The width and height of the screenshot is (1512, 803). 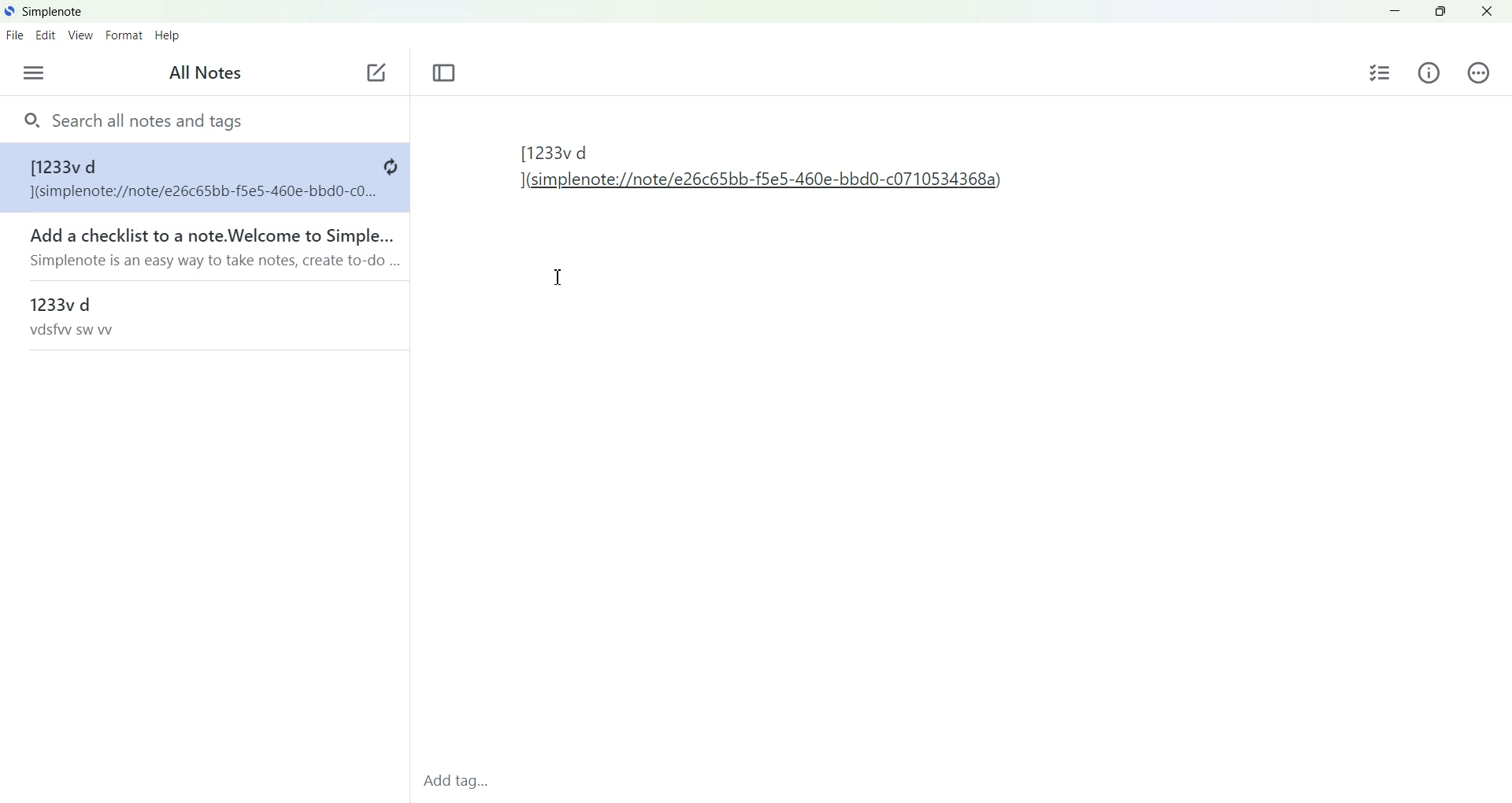 I want to click on Insert Checklist, so click(x=1380, y=72).